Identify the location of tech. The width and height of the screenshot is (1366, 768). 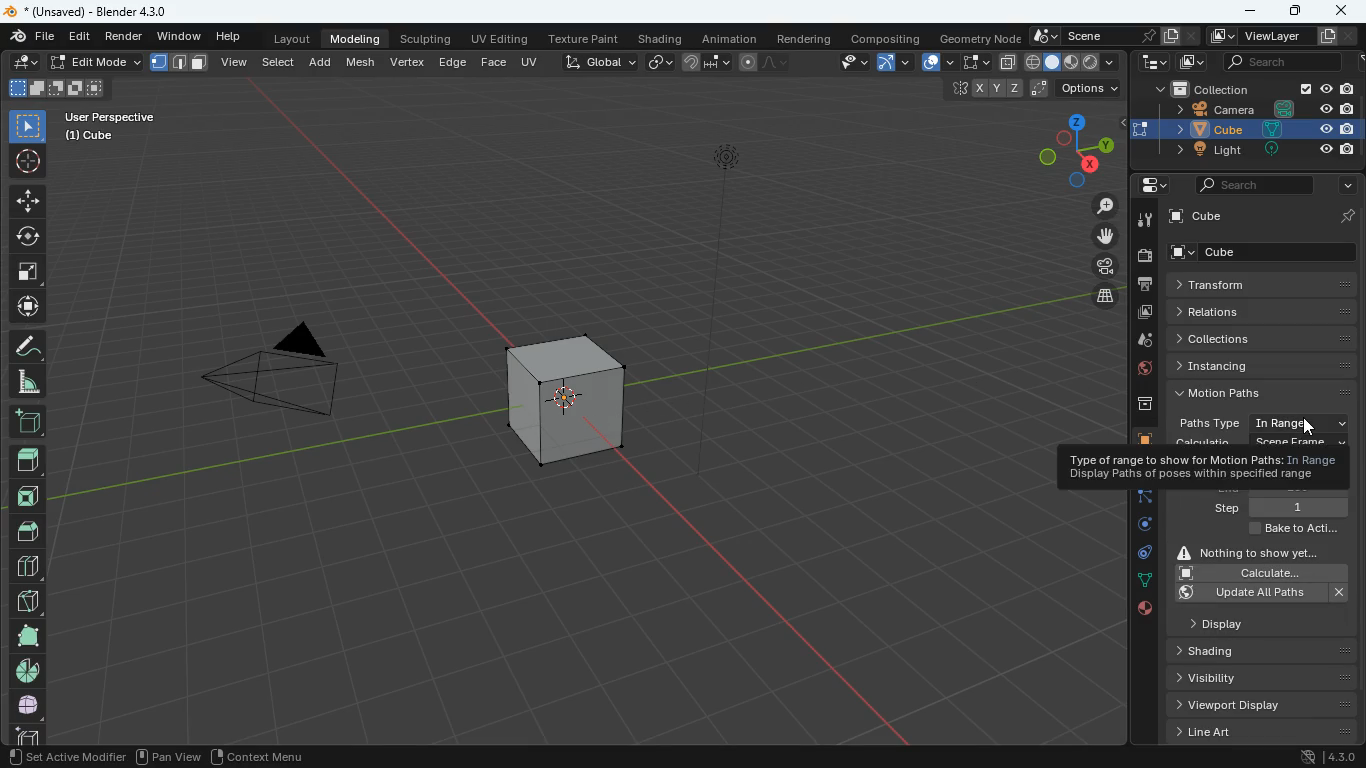
(1153, 63).